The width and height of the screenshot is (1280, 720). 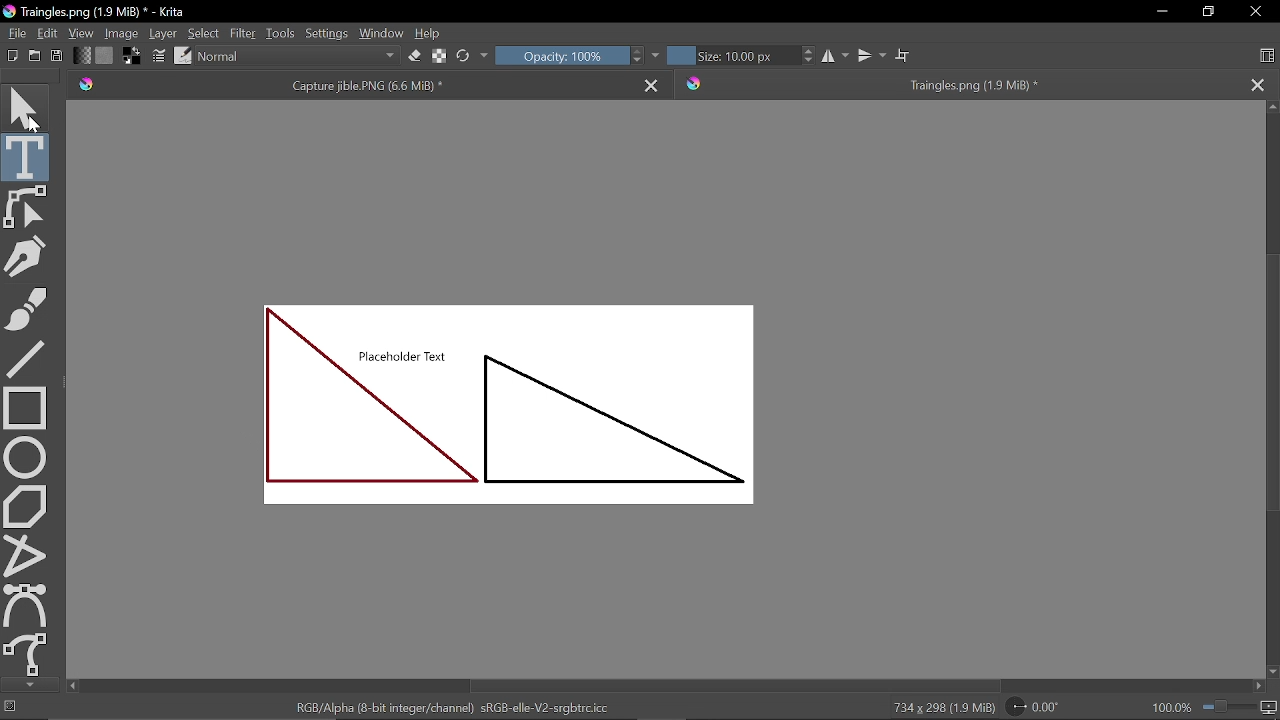 I want to click on Edit shapes tool, so click(x=28, y=209).